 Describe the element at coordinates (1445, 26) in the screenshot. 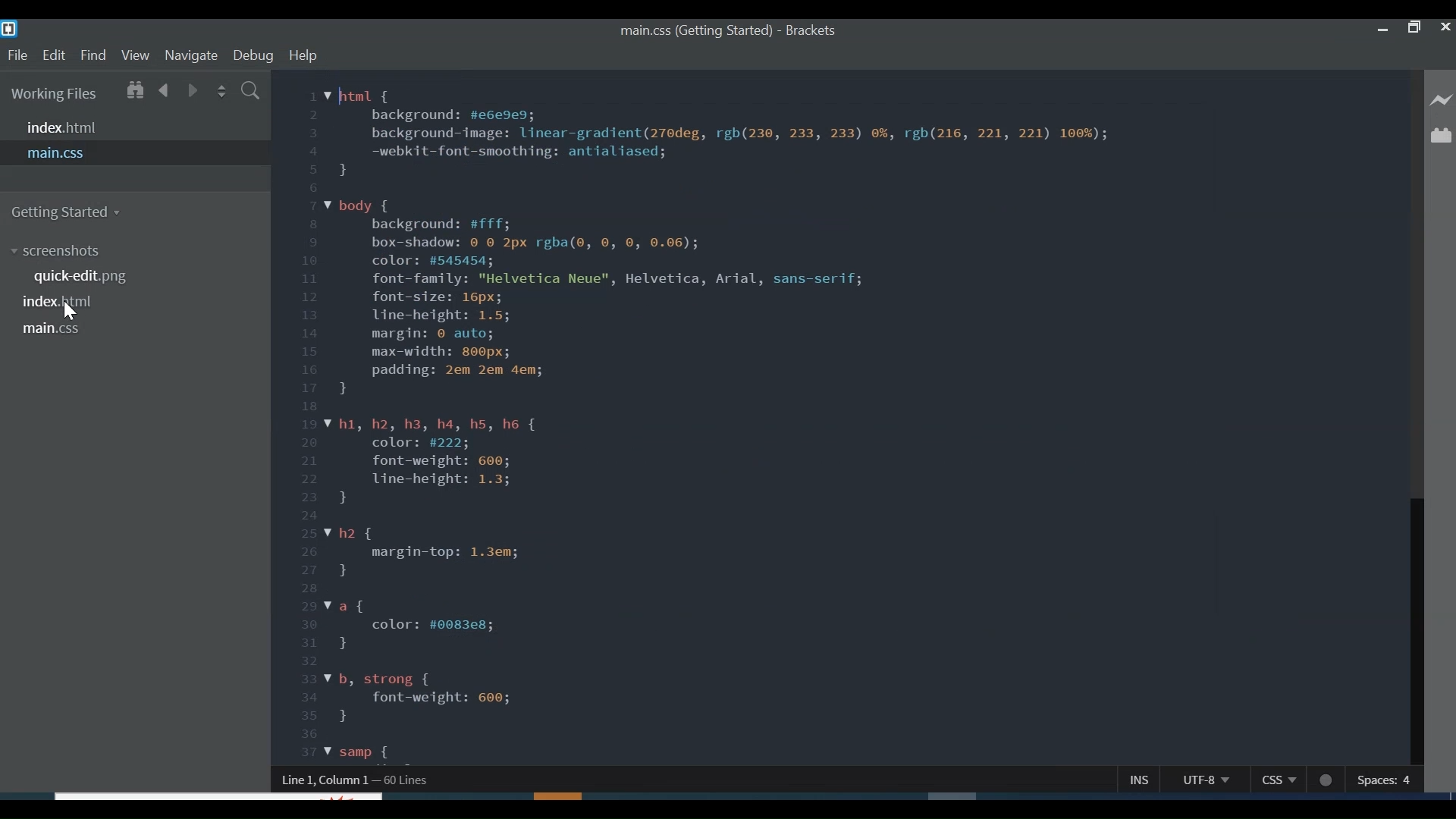

I see `Close` at that location.